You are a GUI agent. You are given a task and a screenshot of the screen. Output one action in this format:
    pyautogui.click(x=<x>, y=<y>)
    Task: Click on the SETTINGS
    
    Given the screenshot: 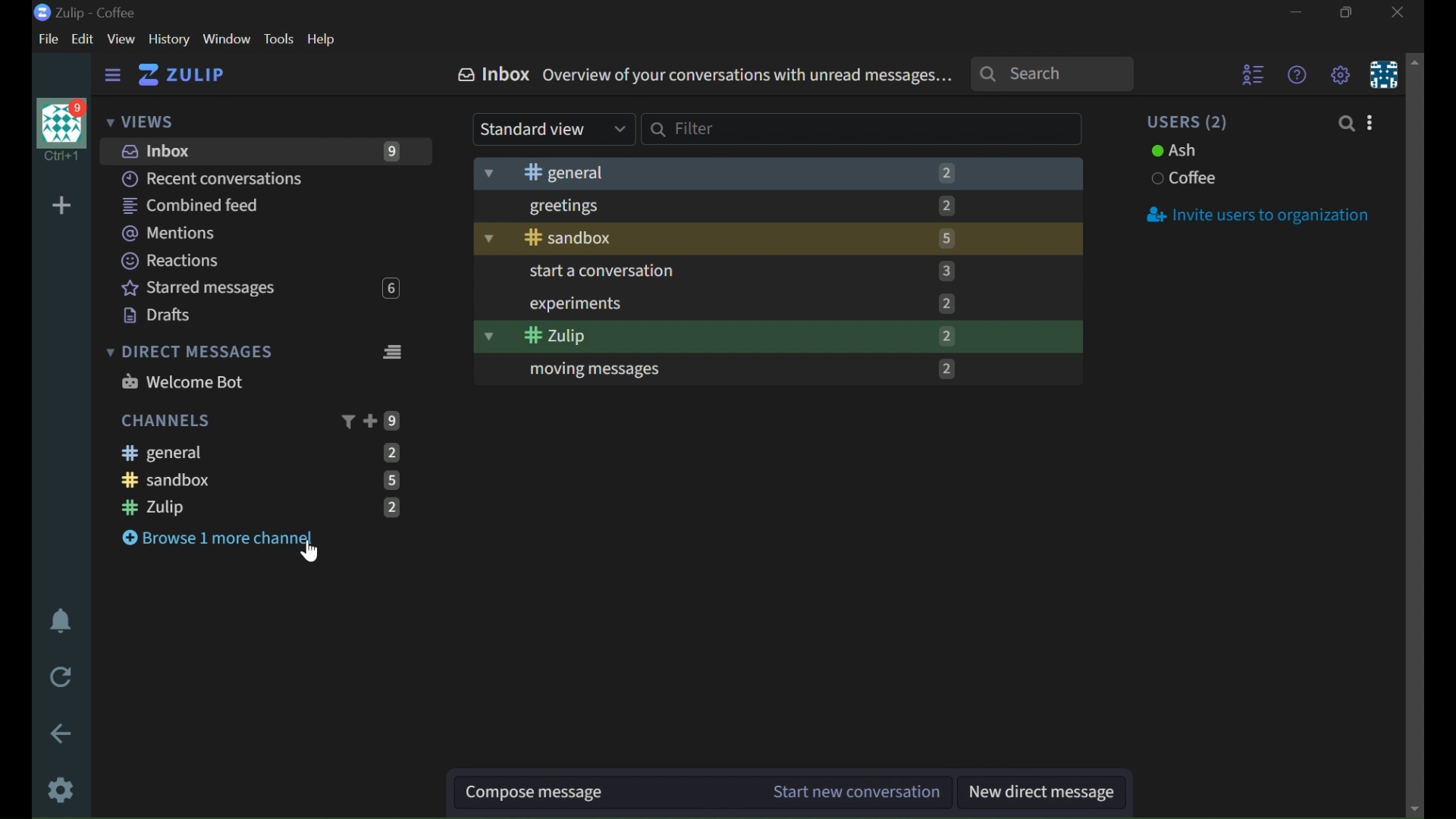 What is the action you would take?
    pyautogui.click(x=1339, y=74)
    